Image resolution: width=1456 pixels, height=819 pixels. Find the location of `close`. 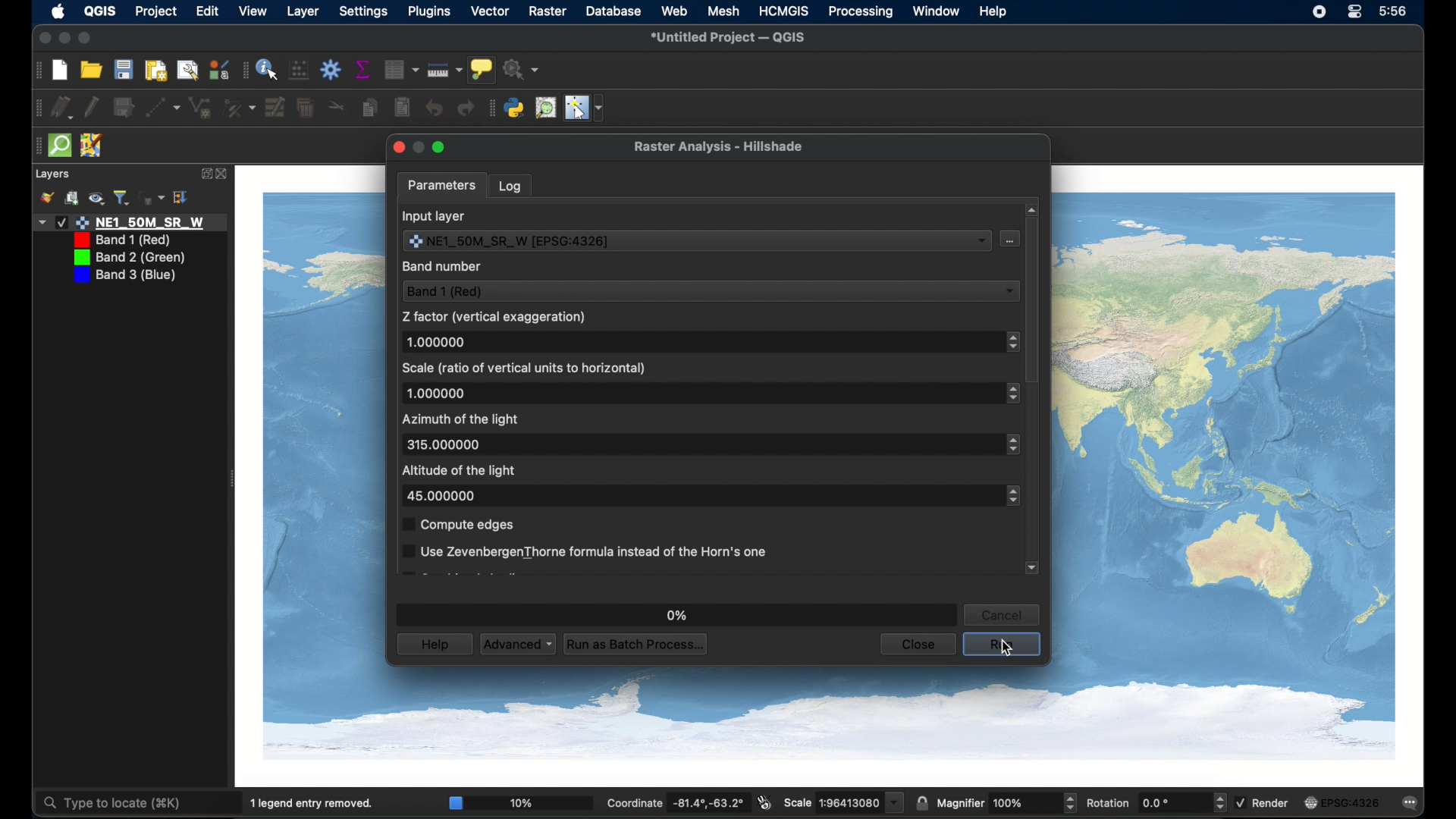

close is located at coordinates (224, 174).